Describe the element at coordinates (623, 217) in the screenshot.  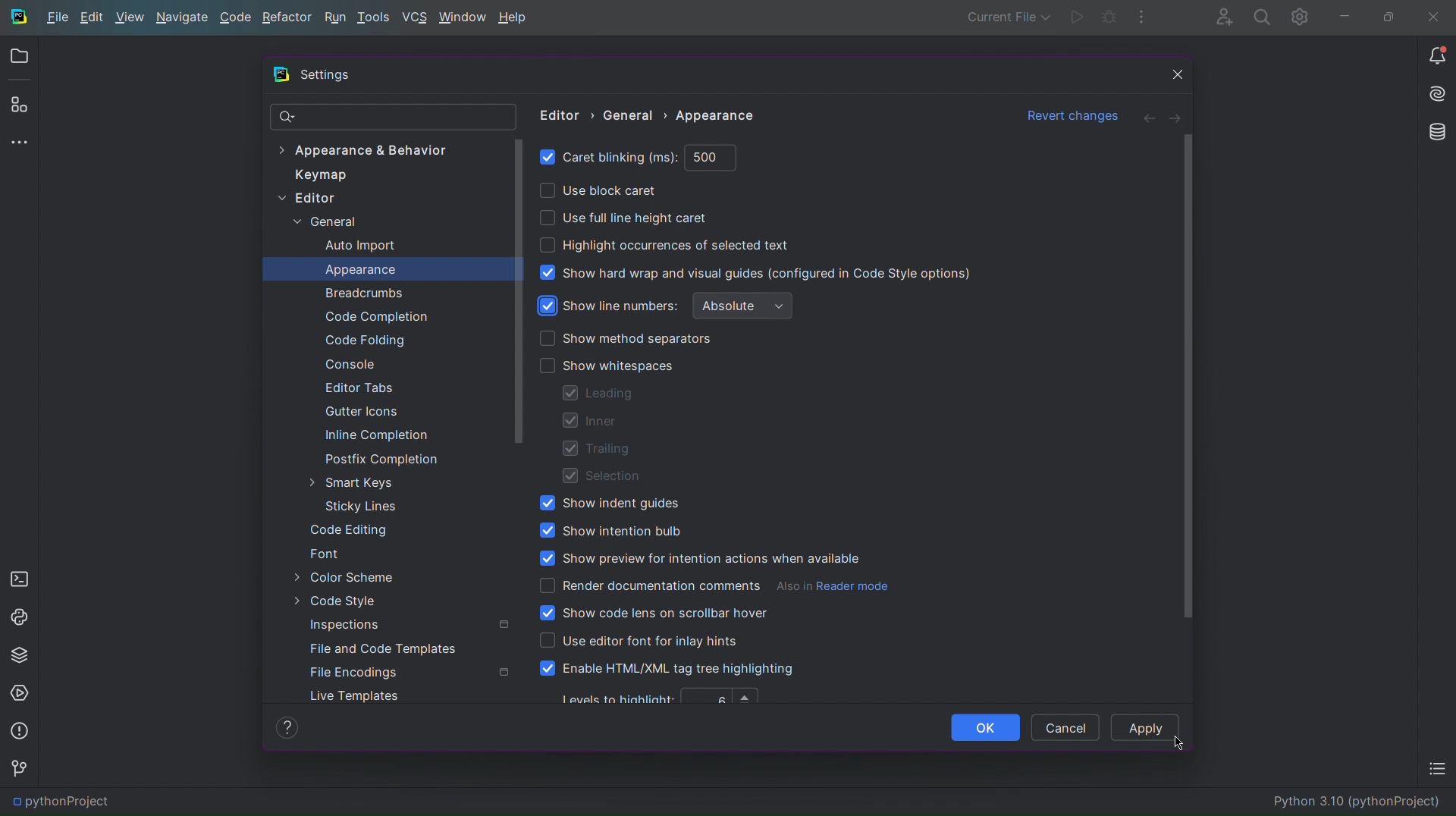
I see `Use full line height caret` at that location.